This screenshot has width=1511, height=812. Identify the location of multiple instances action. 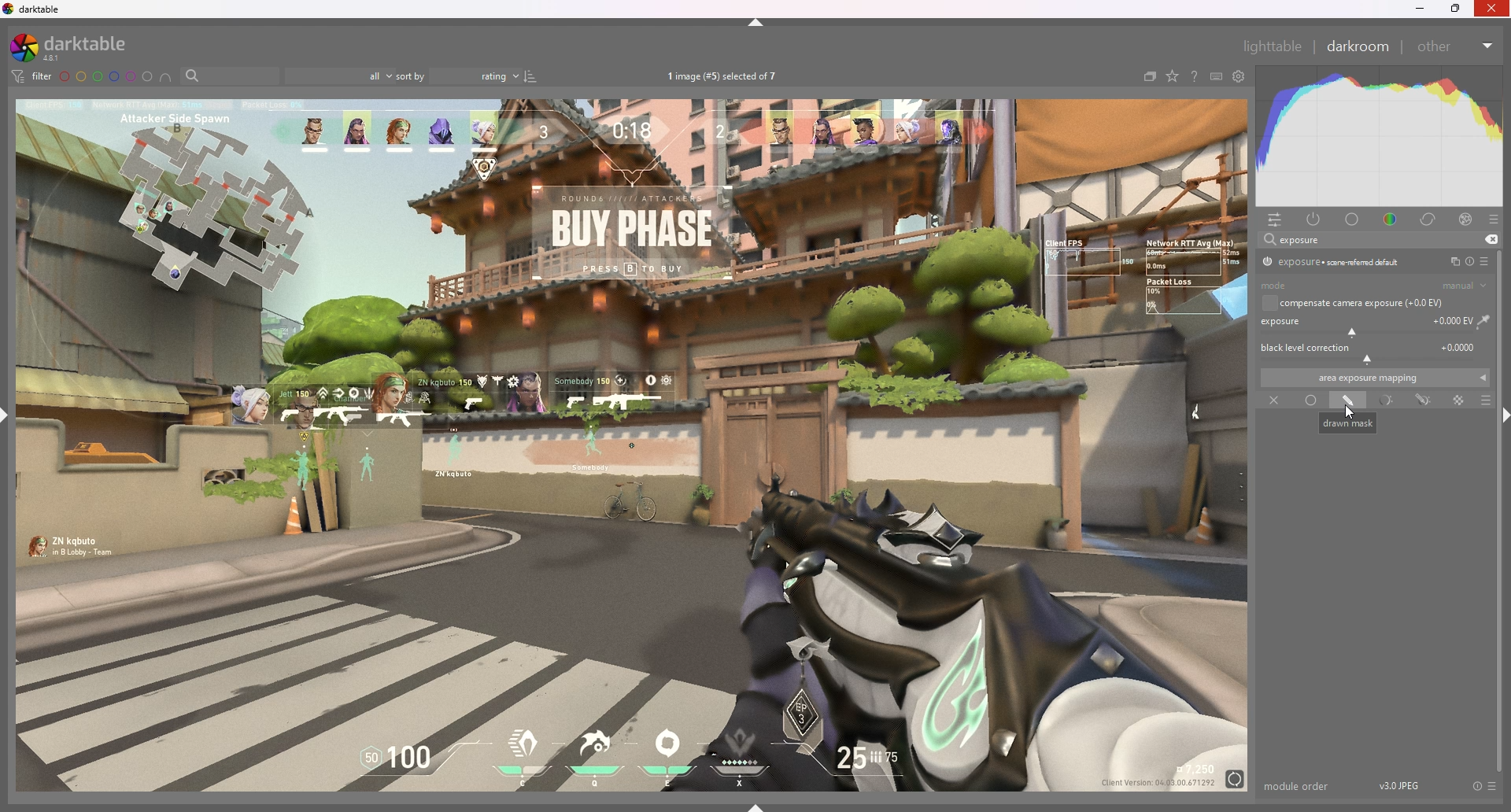
(1451, 262).